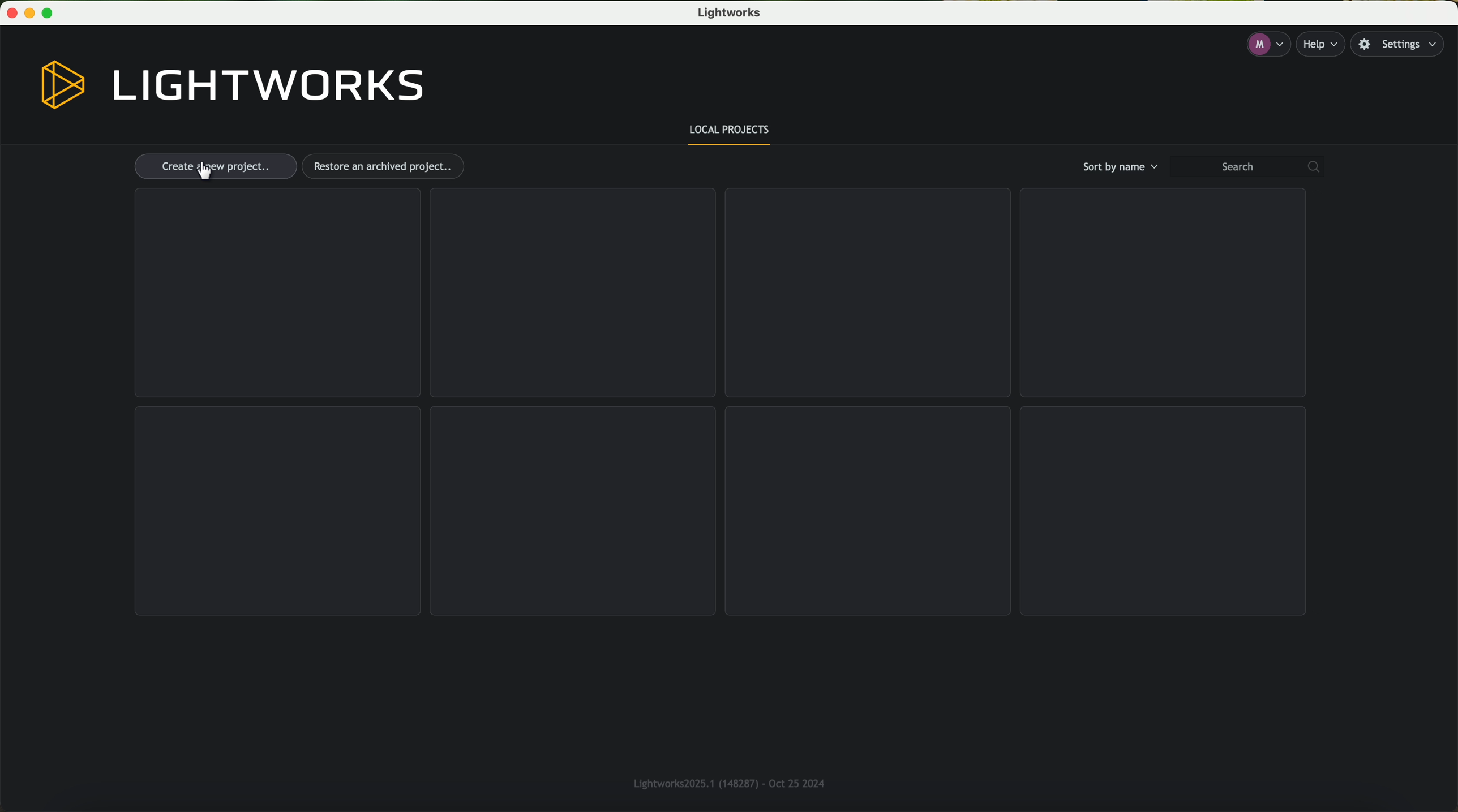 Image resolution: width=1458 pixels, height=812 pixels. Describe the element at coordinates (573, 509) in the screenshot. I see `grid` at that location.